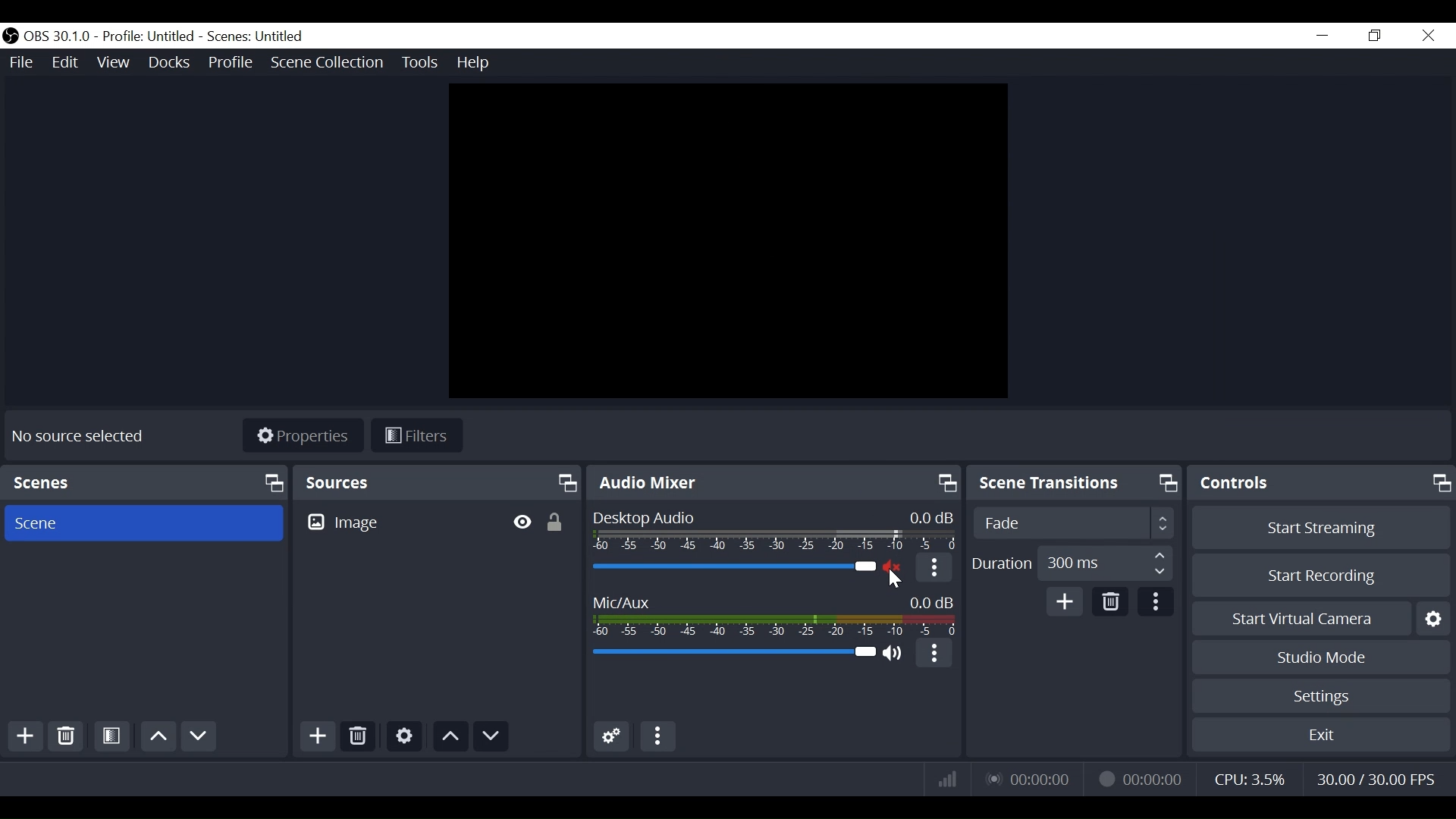  Describe the element at coordinates (1111, 602) in the screenshot. I see `Delete` at that location.